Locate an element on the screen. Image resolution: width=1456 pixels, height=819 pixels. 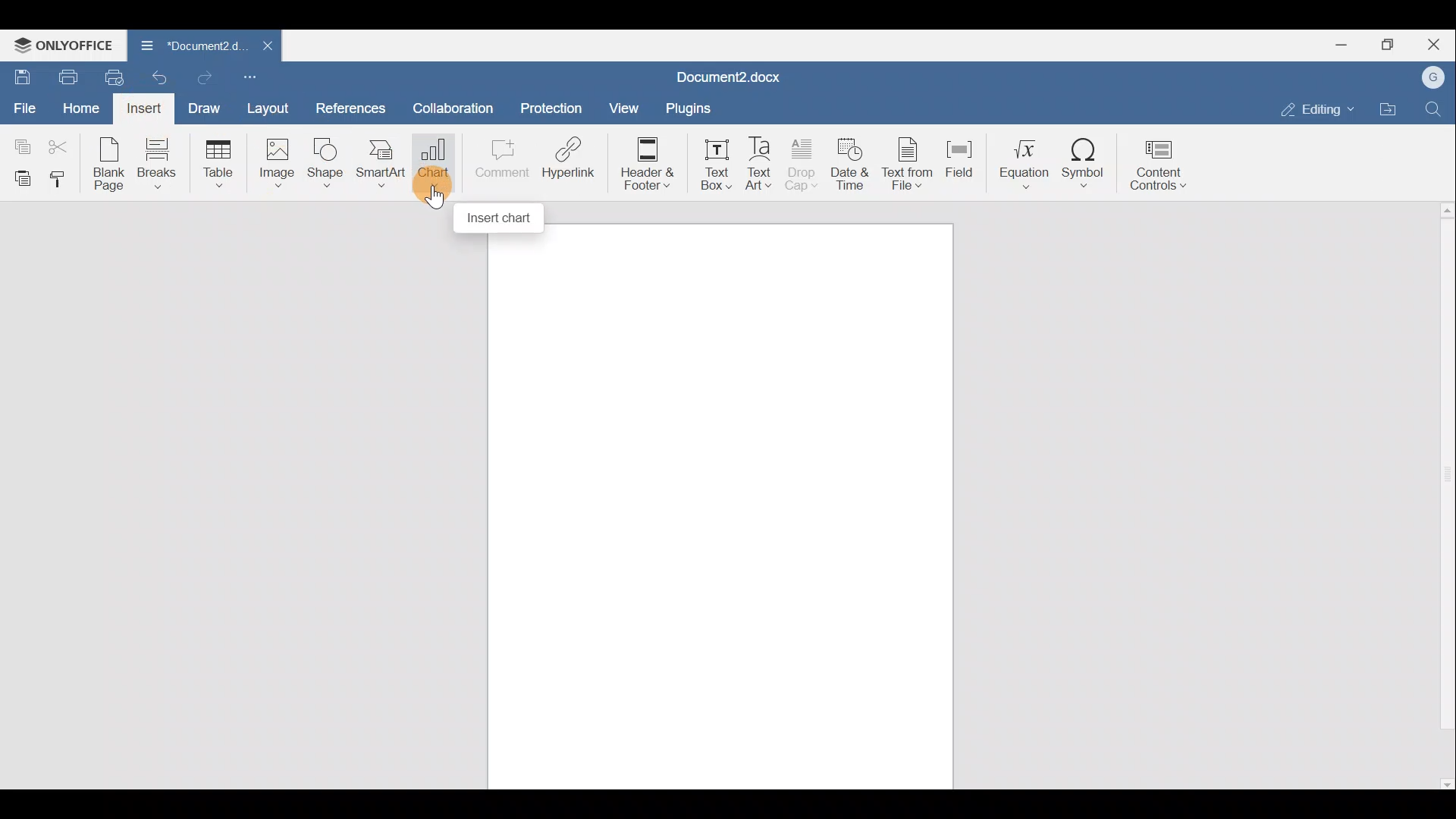
Undo is located at coordinates (162, 76).